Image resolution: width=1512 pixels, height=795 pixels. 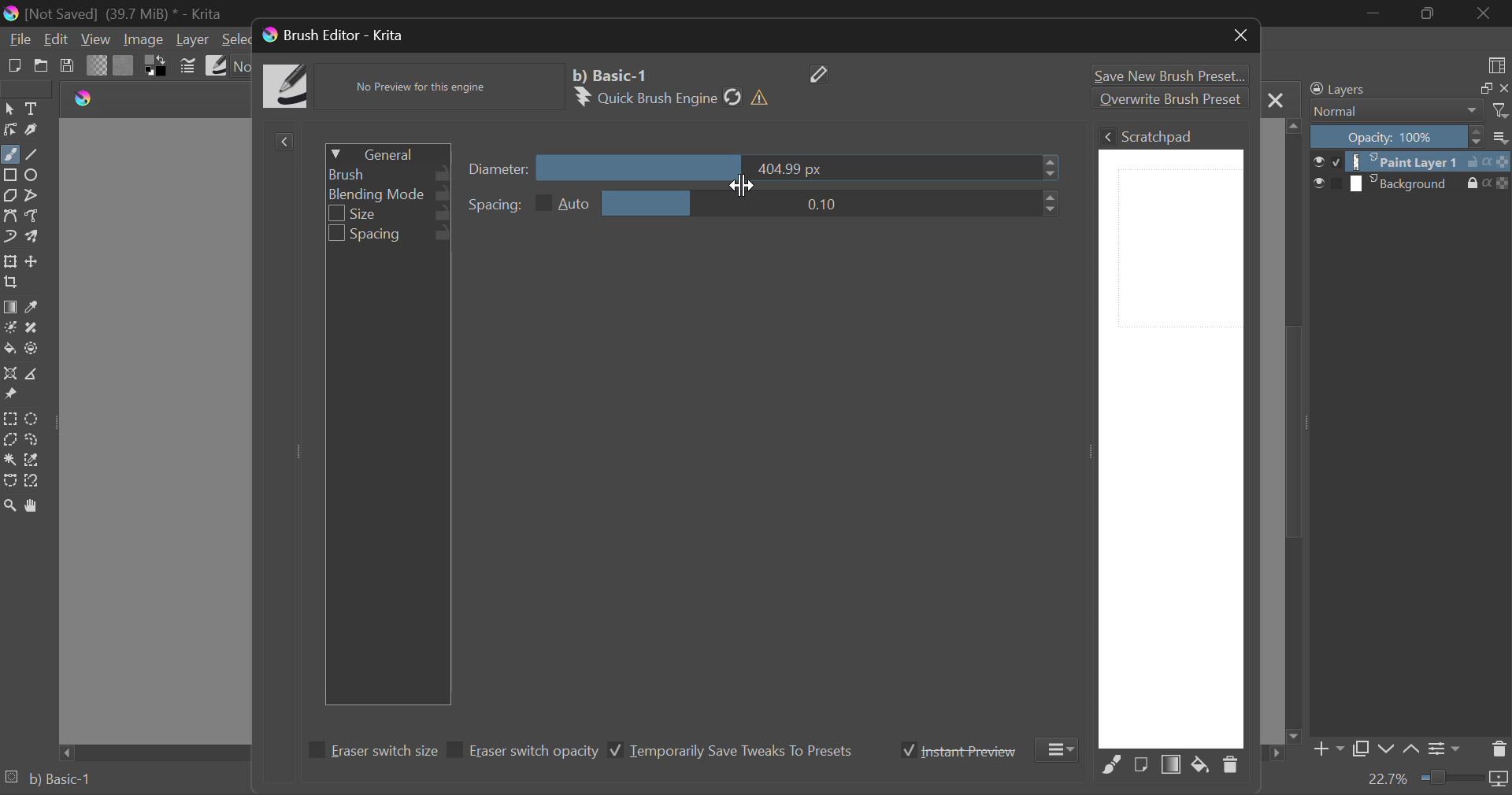 What do you see at coordinates (387, 152) in the screenshot?
I see `General` at bounding box center [387, 152].